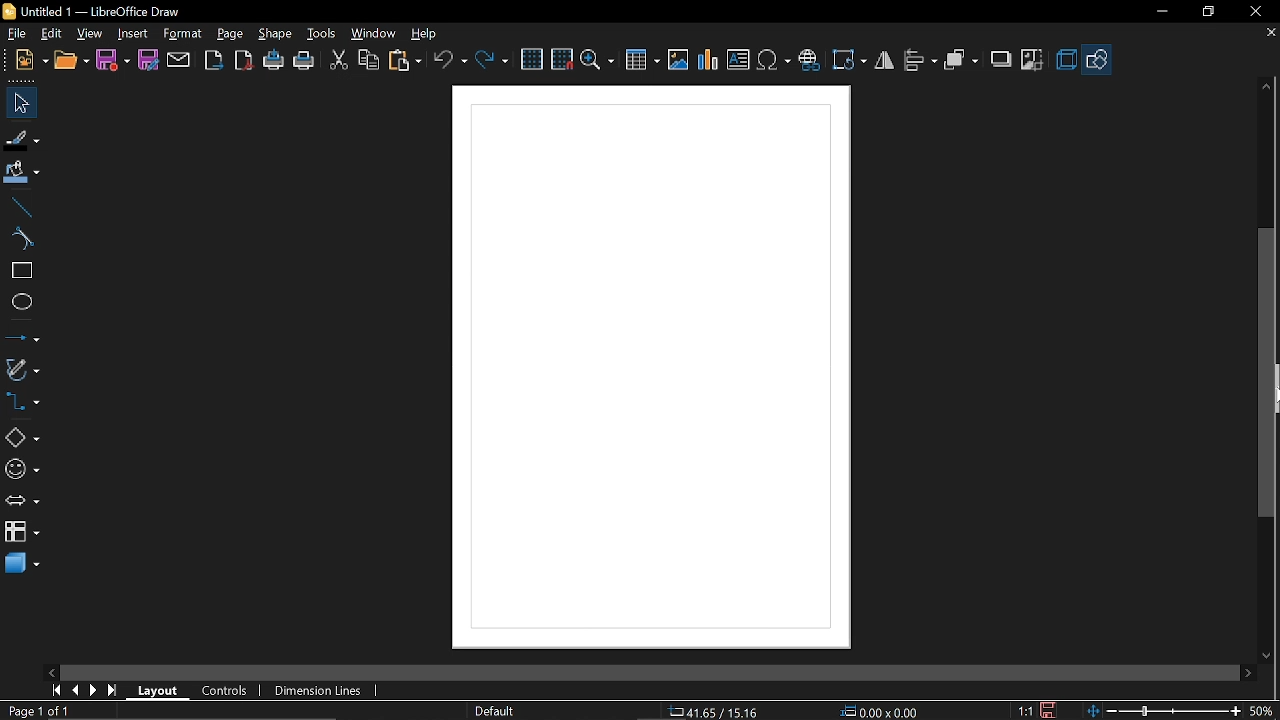 This screenshot has height=720, width=1280. I want to click on flowchart, so click(22, 532).